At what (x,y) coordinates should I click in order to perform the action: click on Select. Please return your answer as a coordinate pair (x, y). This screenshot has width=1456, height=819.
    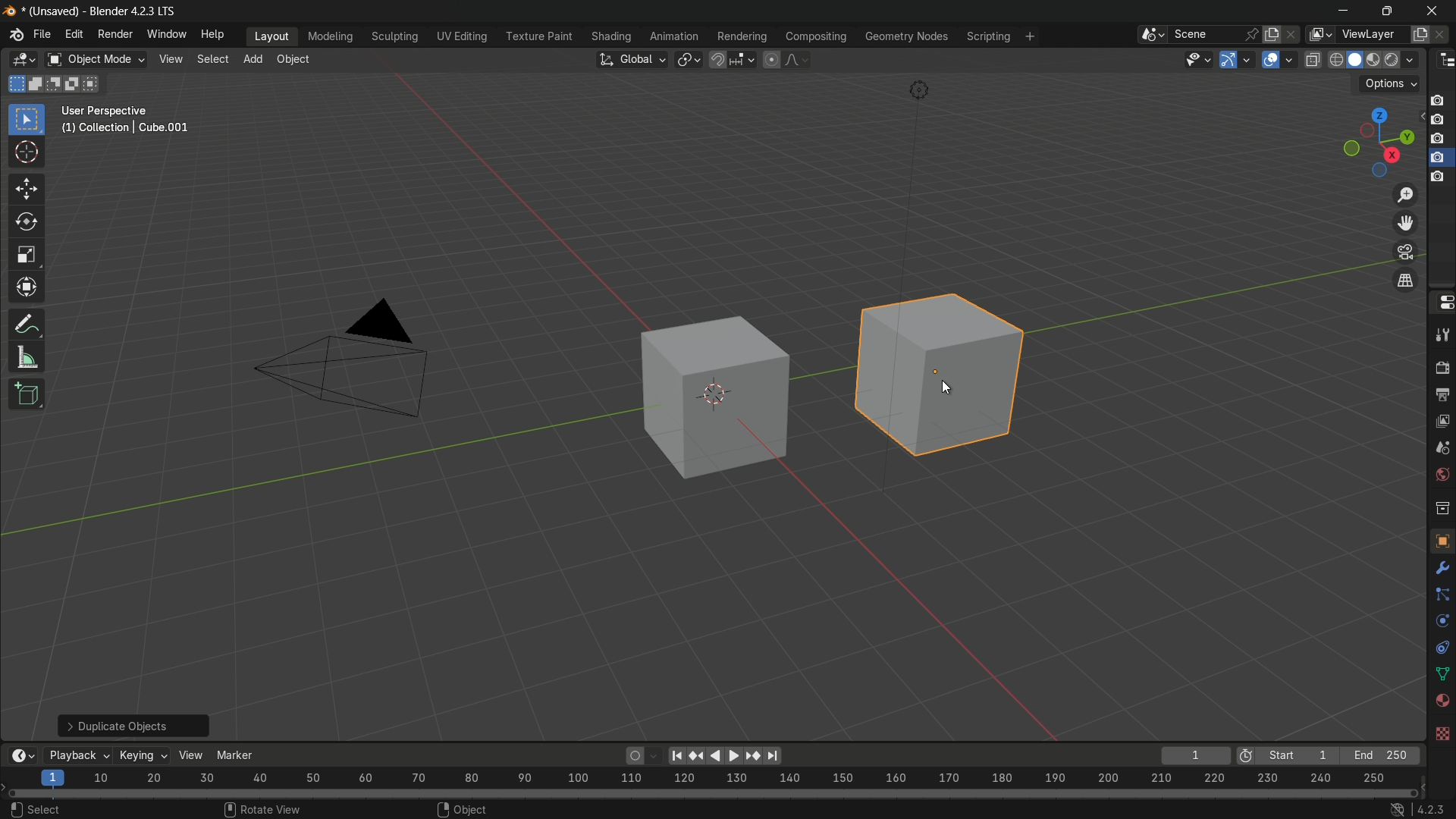
    Looking at the image, I should click on (33, 808).